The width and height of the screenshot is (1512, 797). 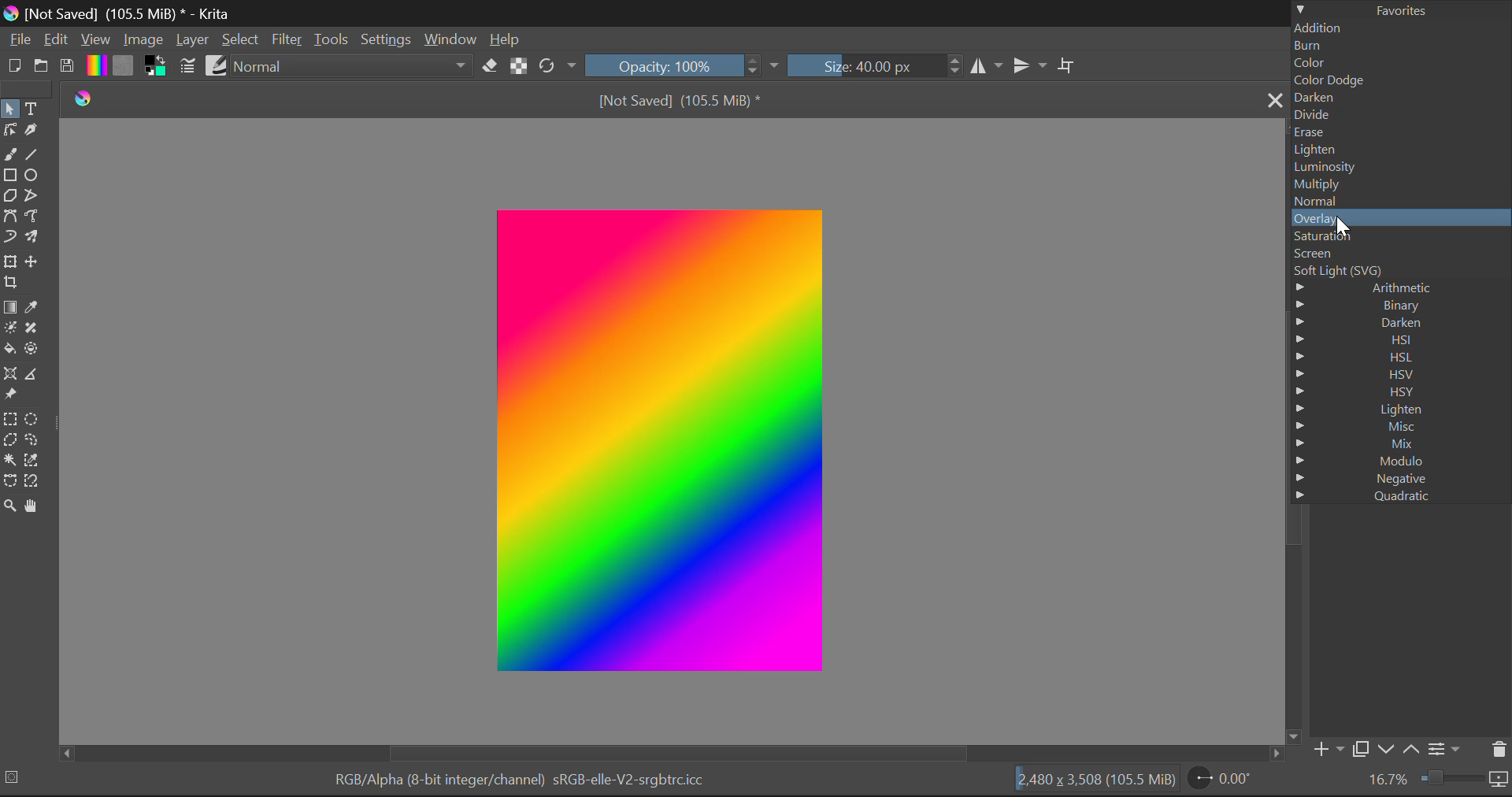 What do you see at coordinates (34, 482) in the screenshot?
I see `Magentic Selection Tool` at bounding box center [34, 482].